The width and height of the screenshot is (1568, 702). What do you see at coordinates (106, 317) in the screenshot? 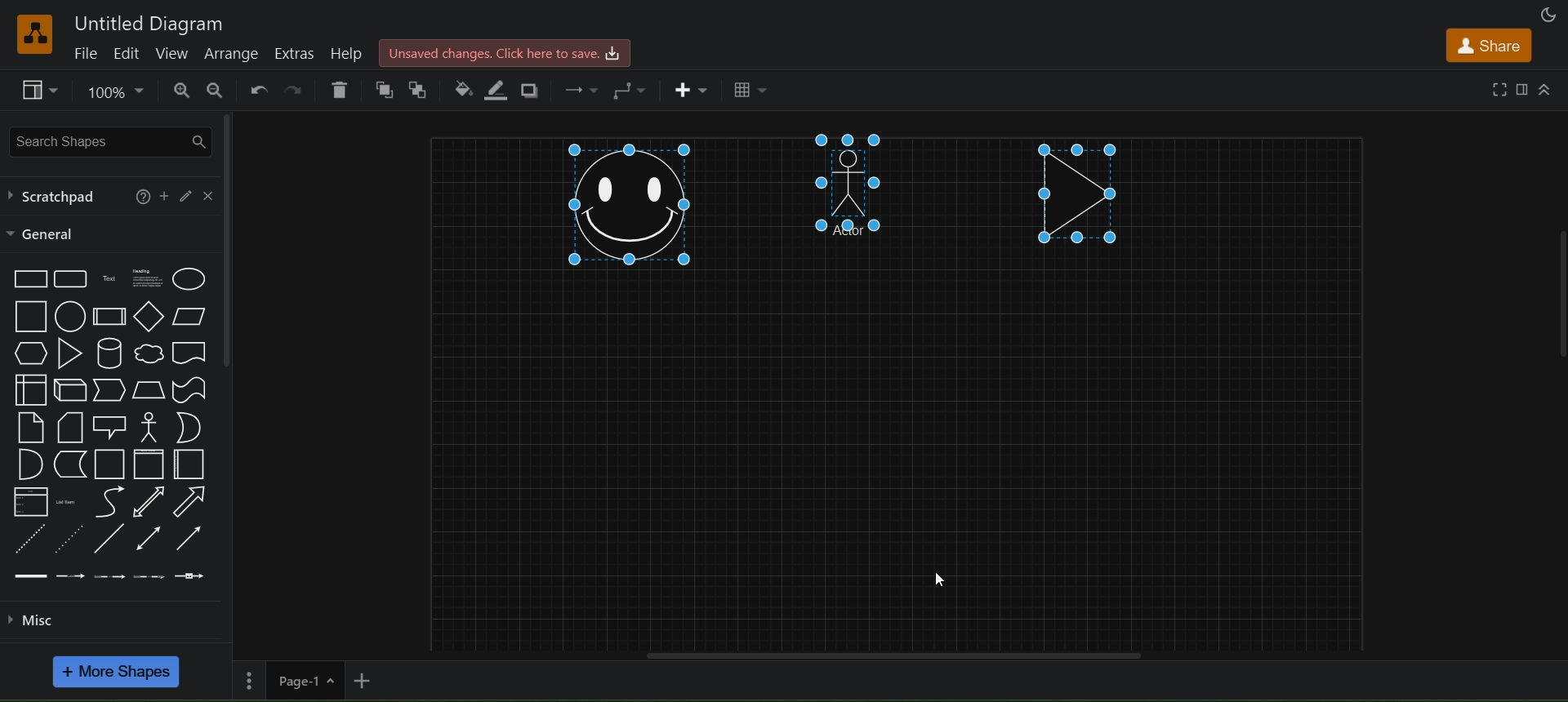
I see `process` at bounding box center [106, 317].